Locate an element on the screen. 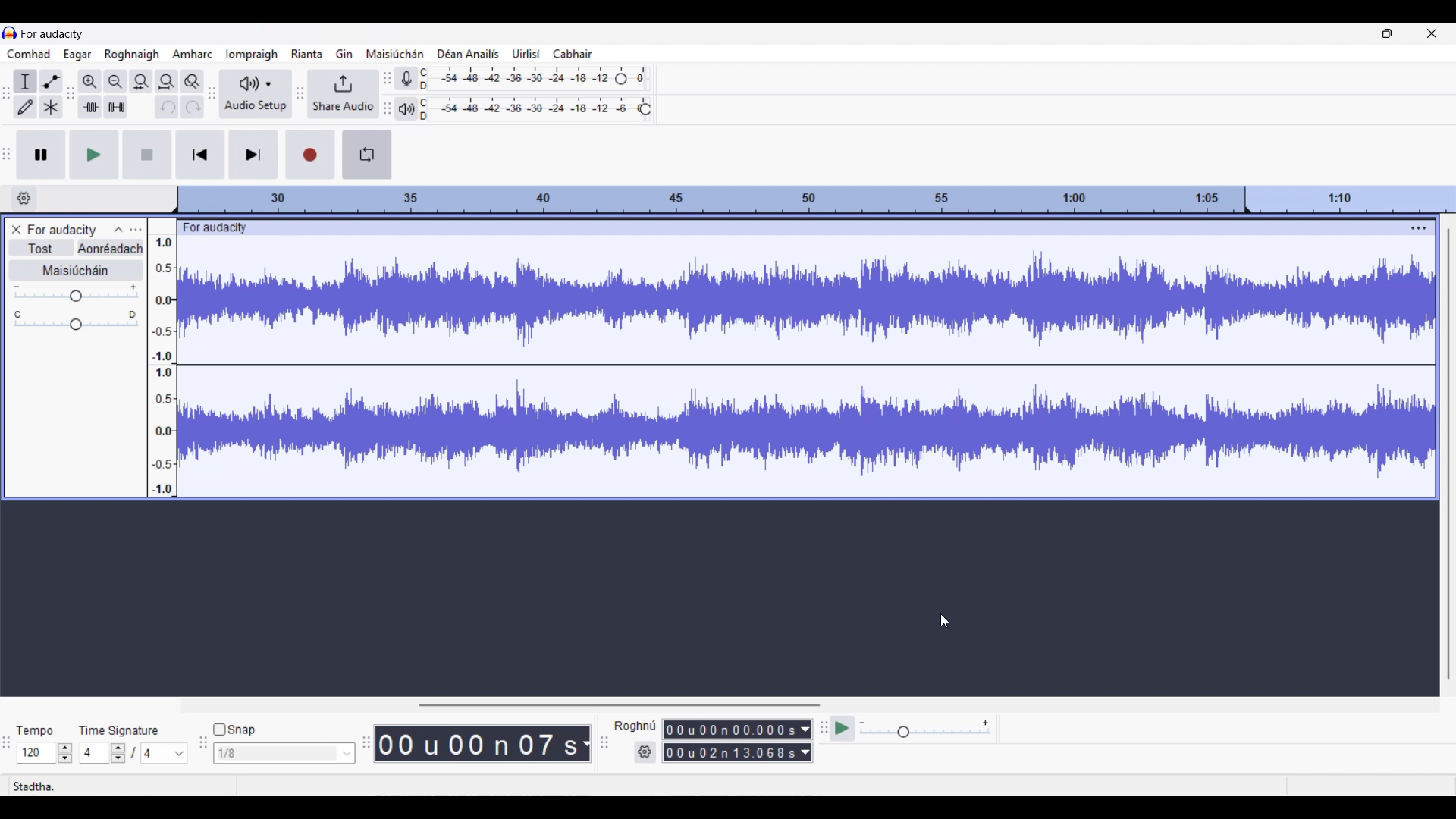  Solo is located at coordinates (111, 248).